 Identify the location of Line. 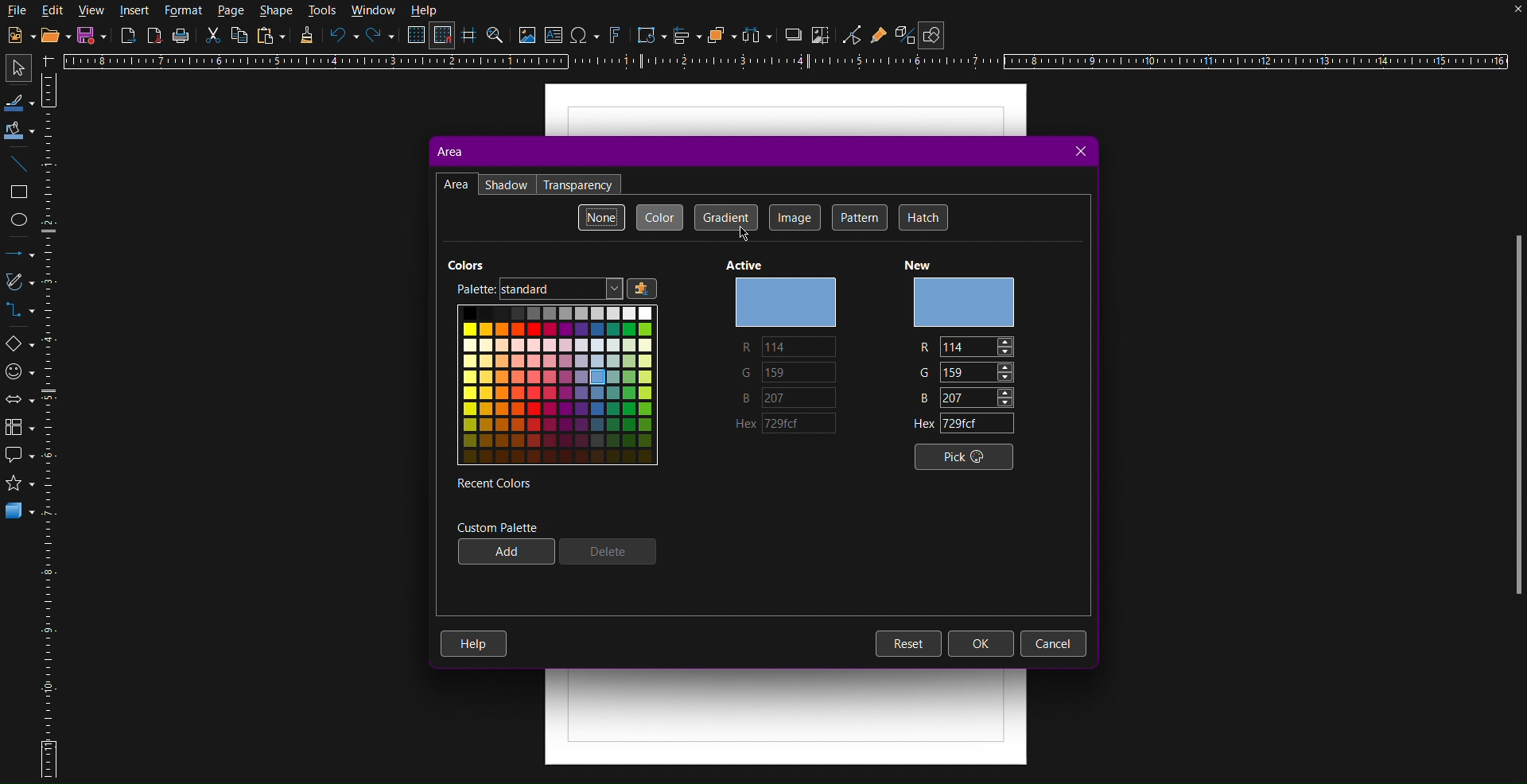
(19, 165).